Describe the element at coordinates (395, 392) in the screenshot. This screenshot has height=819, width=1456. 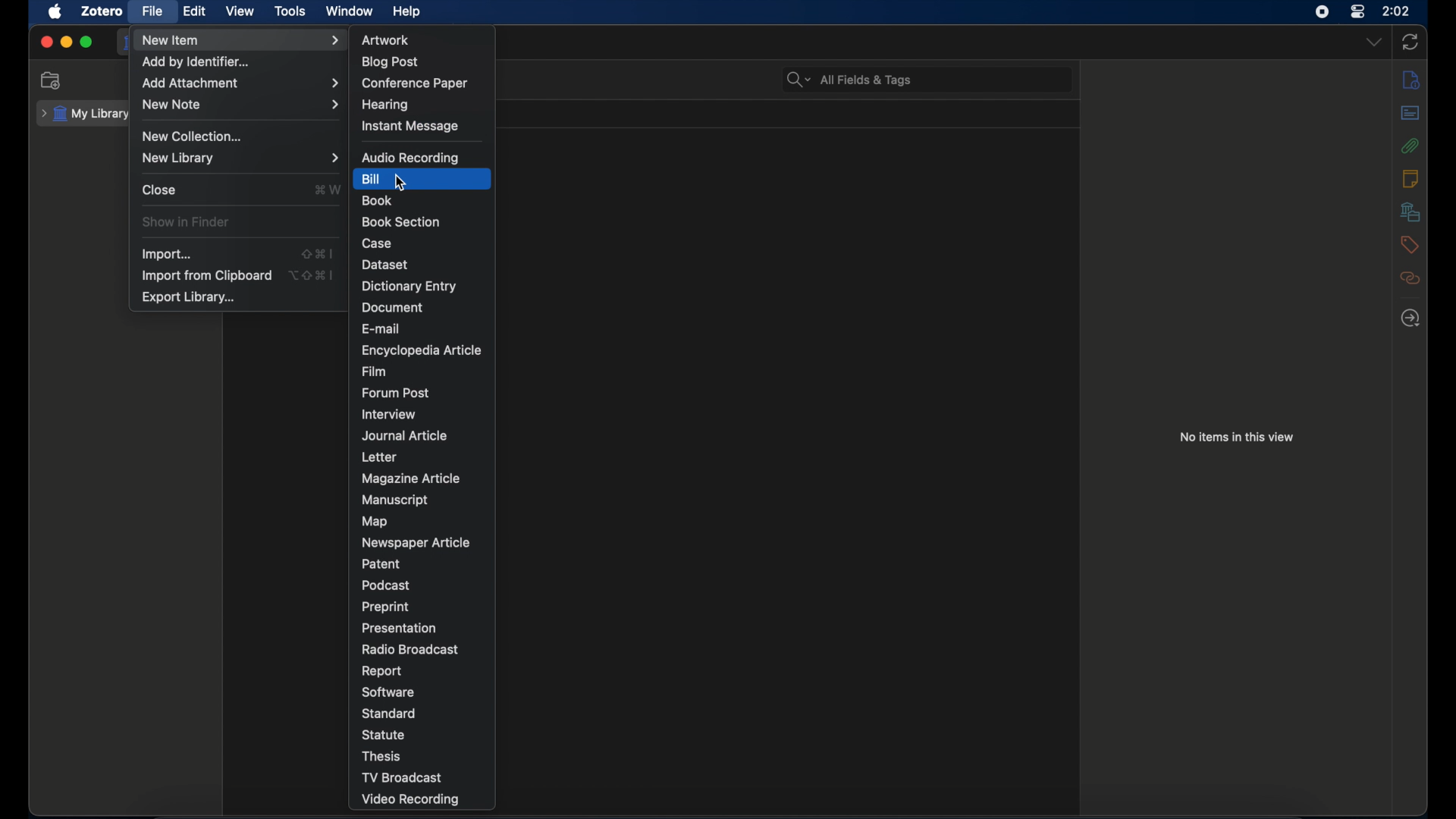
I see `forum post` at that location.